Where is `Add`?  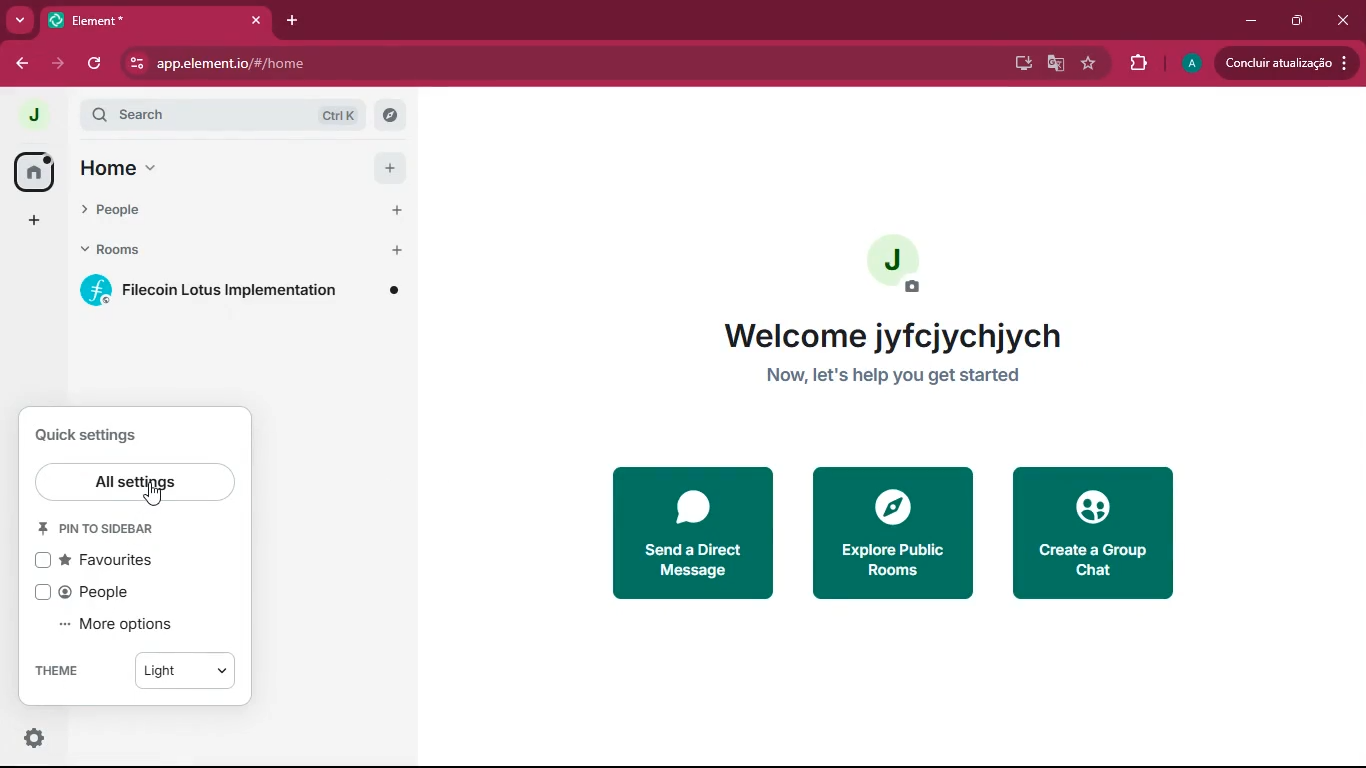
Add is located at coordinates (386, 165).